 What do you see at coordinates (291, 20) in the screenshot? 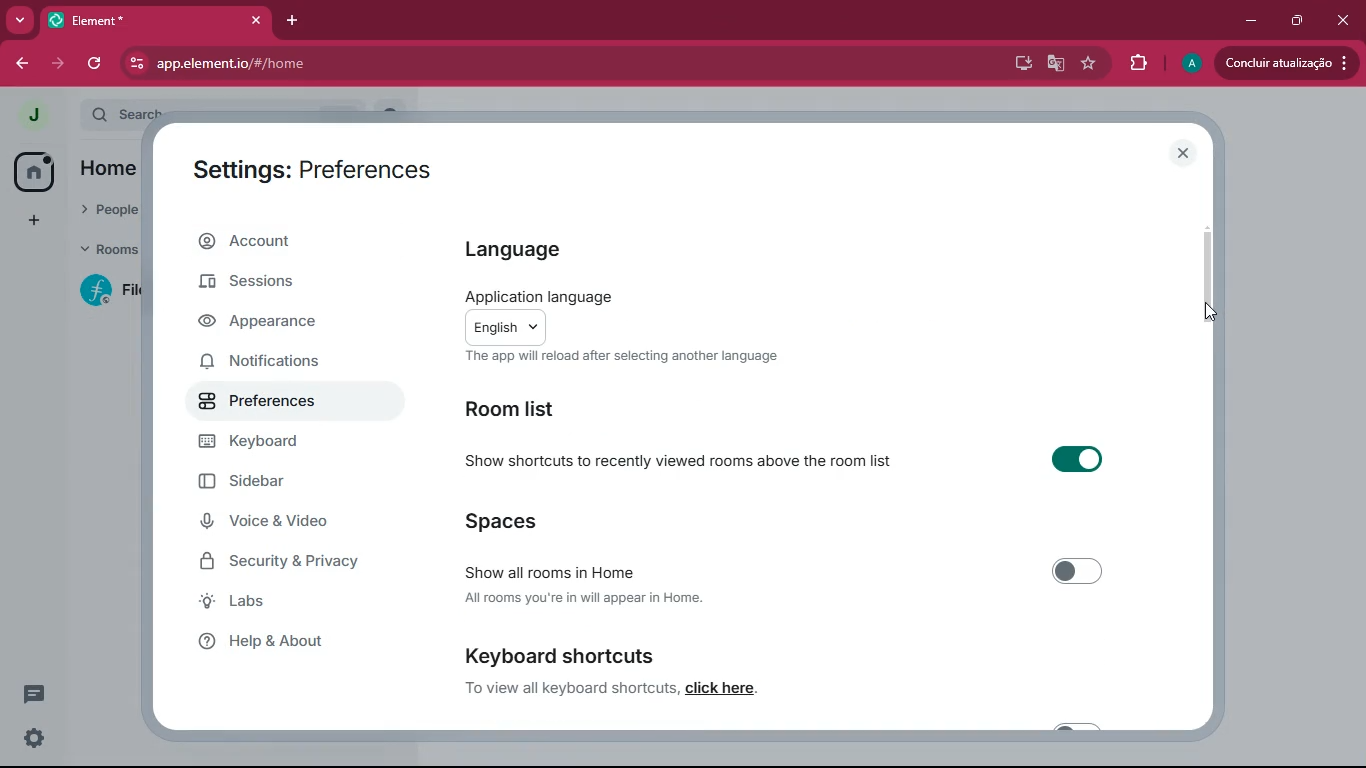
I see `add tab` at bounding box center [291, 20].